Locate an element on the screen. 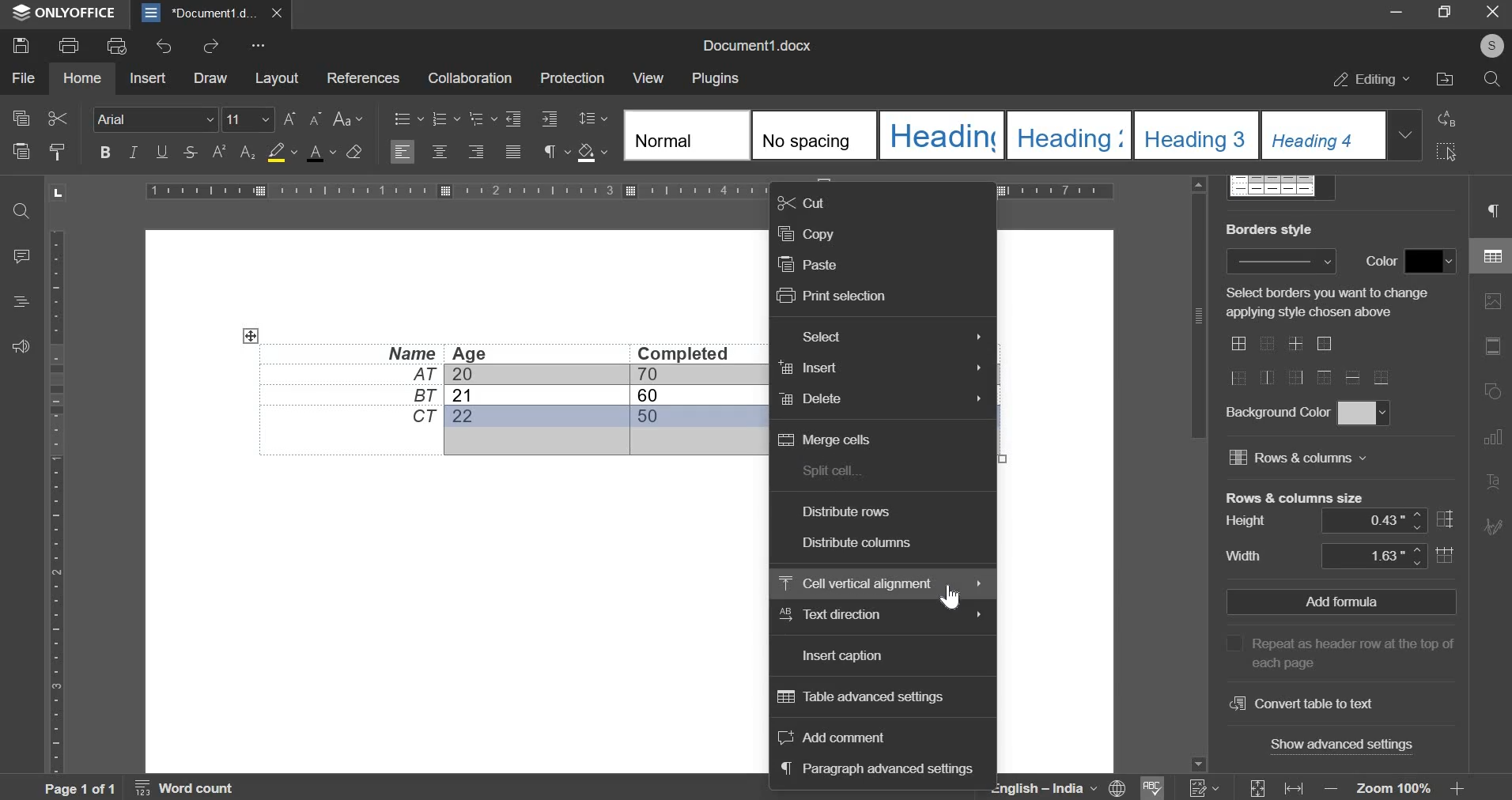 The height and width of the screenshot is (800, 1512). print is located at coordinates (68, 46).